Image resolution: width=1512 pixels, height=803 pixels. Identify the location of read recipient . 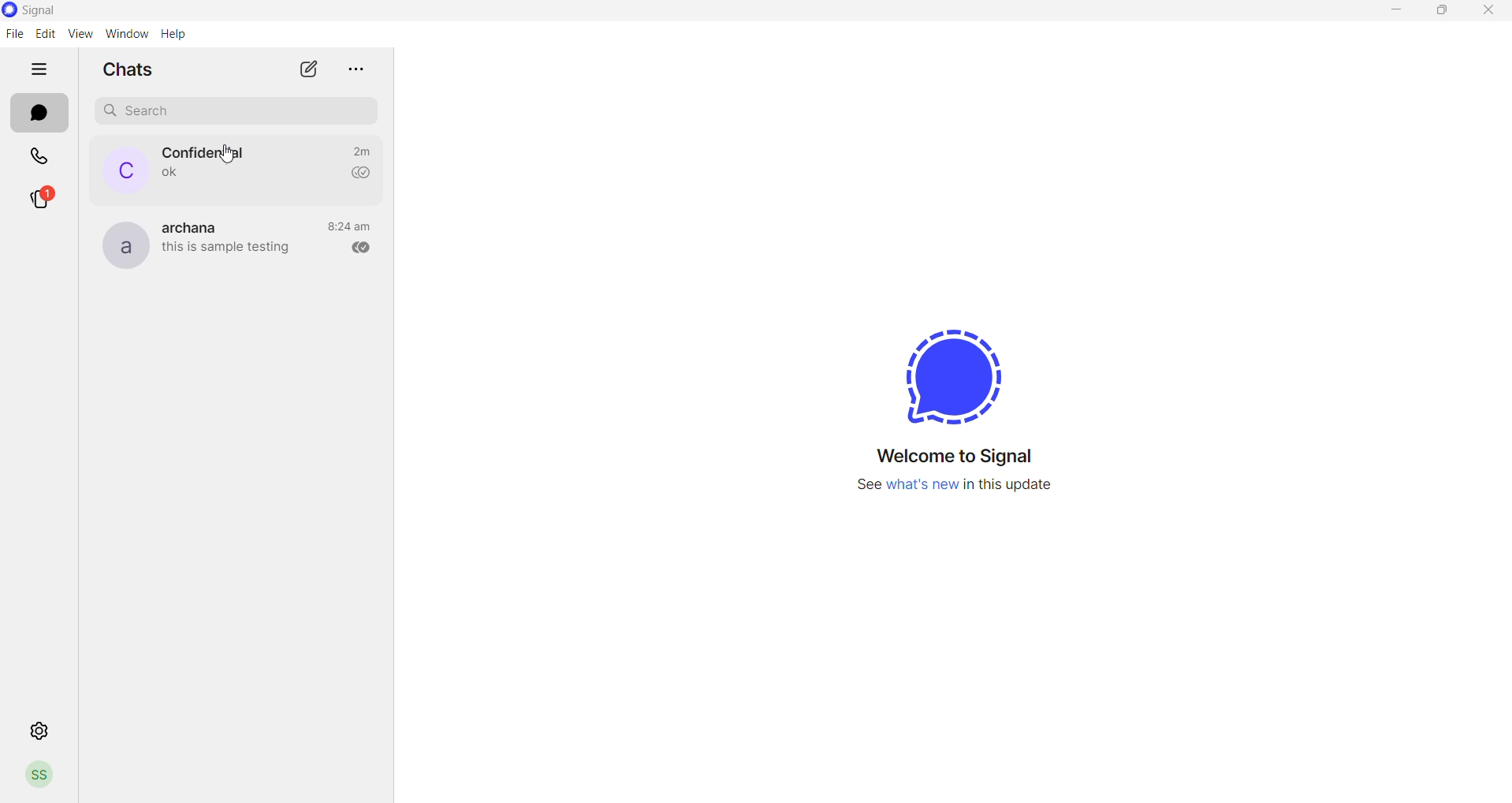
(355, 174).